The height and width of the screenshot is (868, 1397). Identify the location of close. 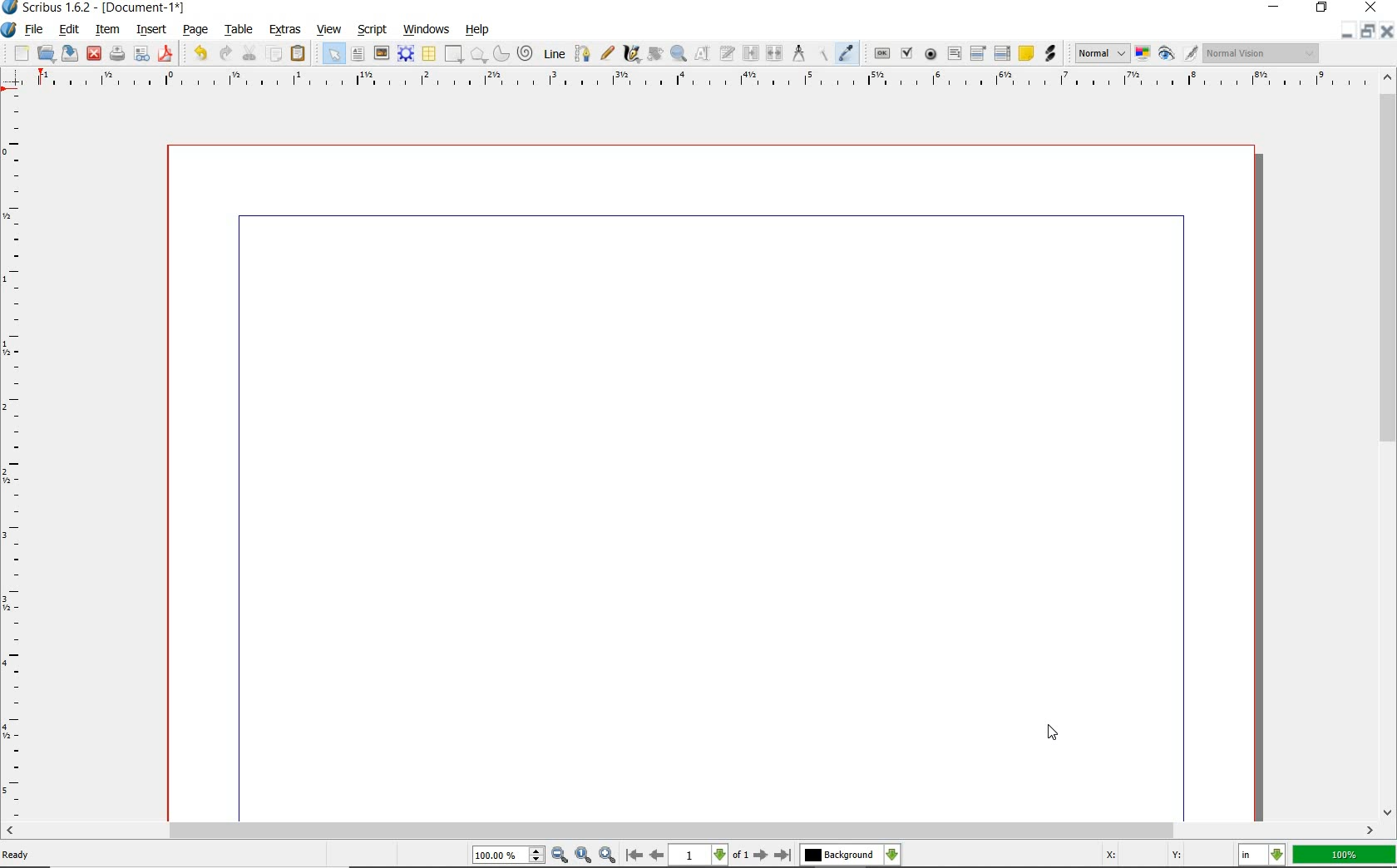
(1387, 31).